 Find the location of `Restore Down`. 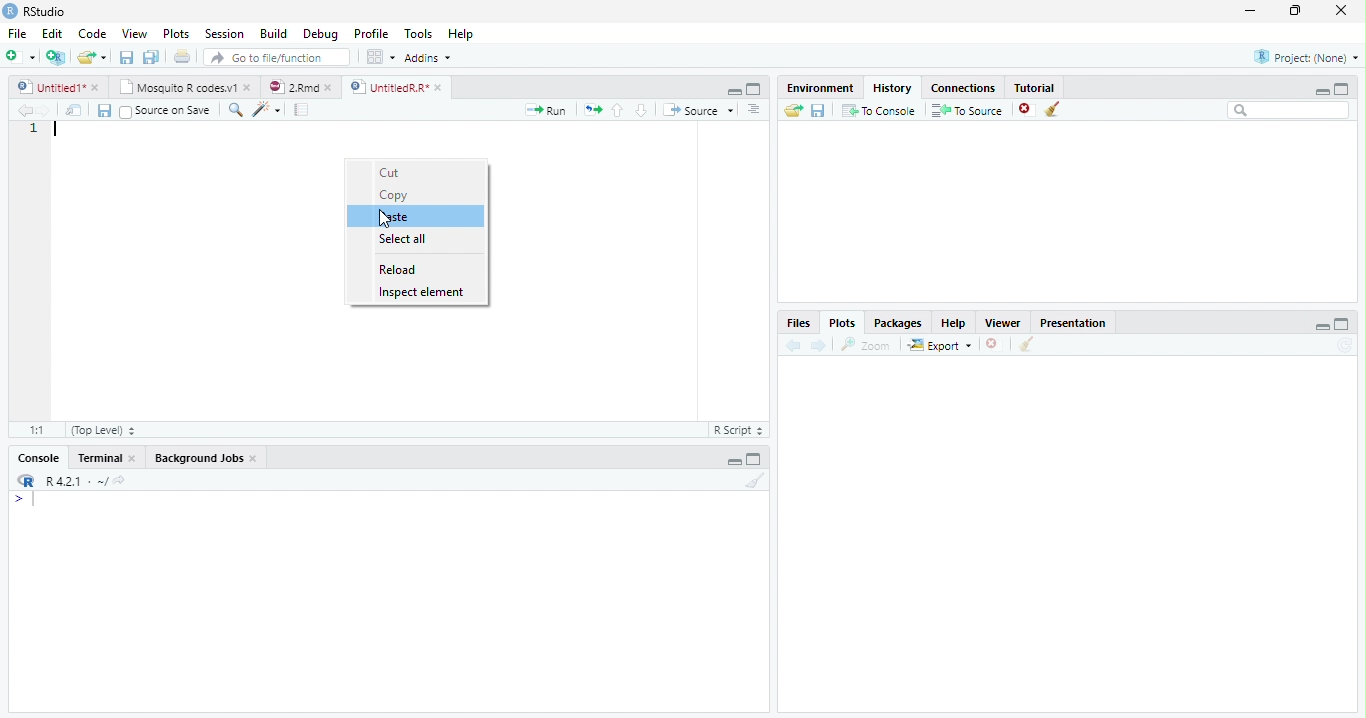

Restore Down is located at coordinates (1296, 12).